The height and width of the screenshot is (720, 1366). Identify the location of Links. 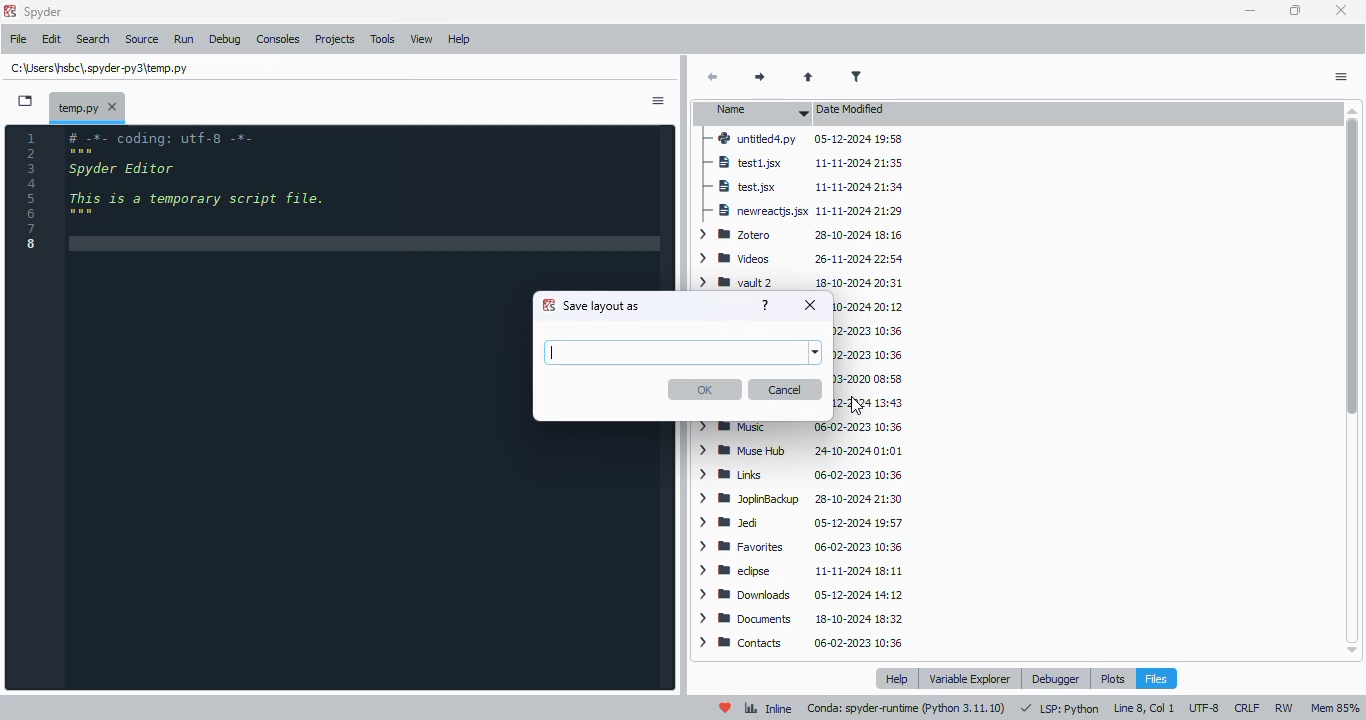
(805, 475).